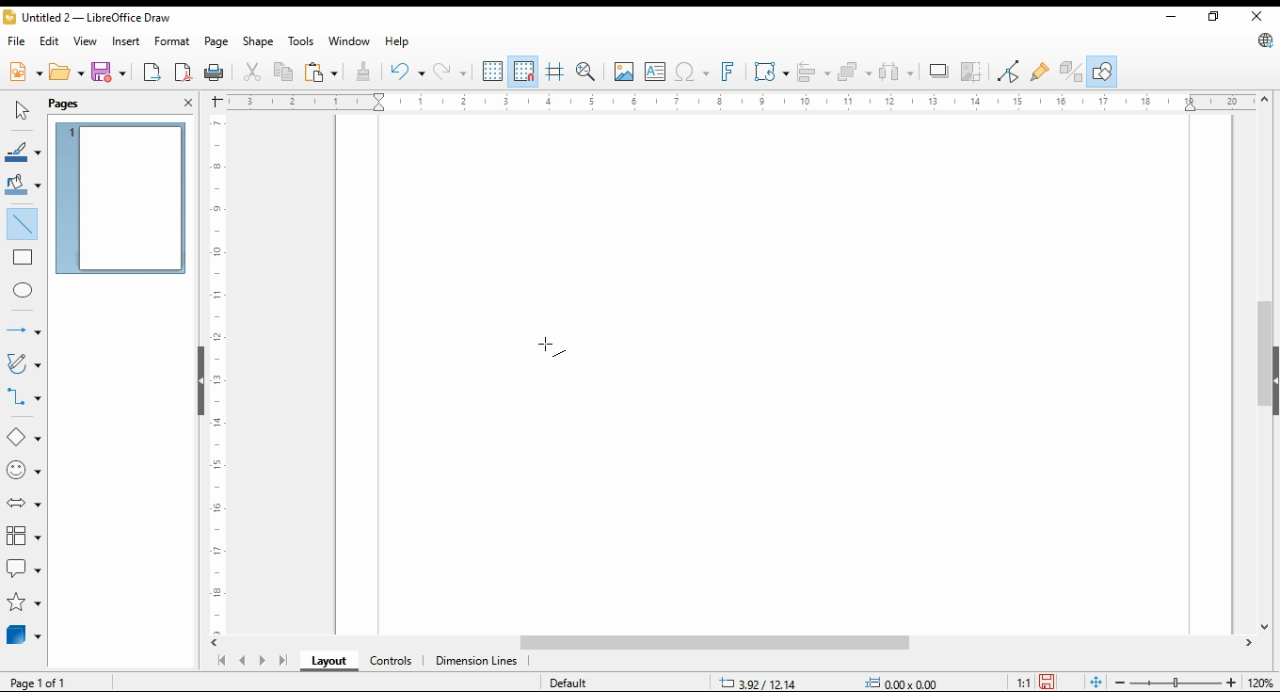 The width and height of the screenshot is (1280, 692). Describe the element at coordinates (974, 71) in the screenshot. I see `crop` at that location.